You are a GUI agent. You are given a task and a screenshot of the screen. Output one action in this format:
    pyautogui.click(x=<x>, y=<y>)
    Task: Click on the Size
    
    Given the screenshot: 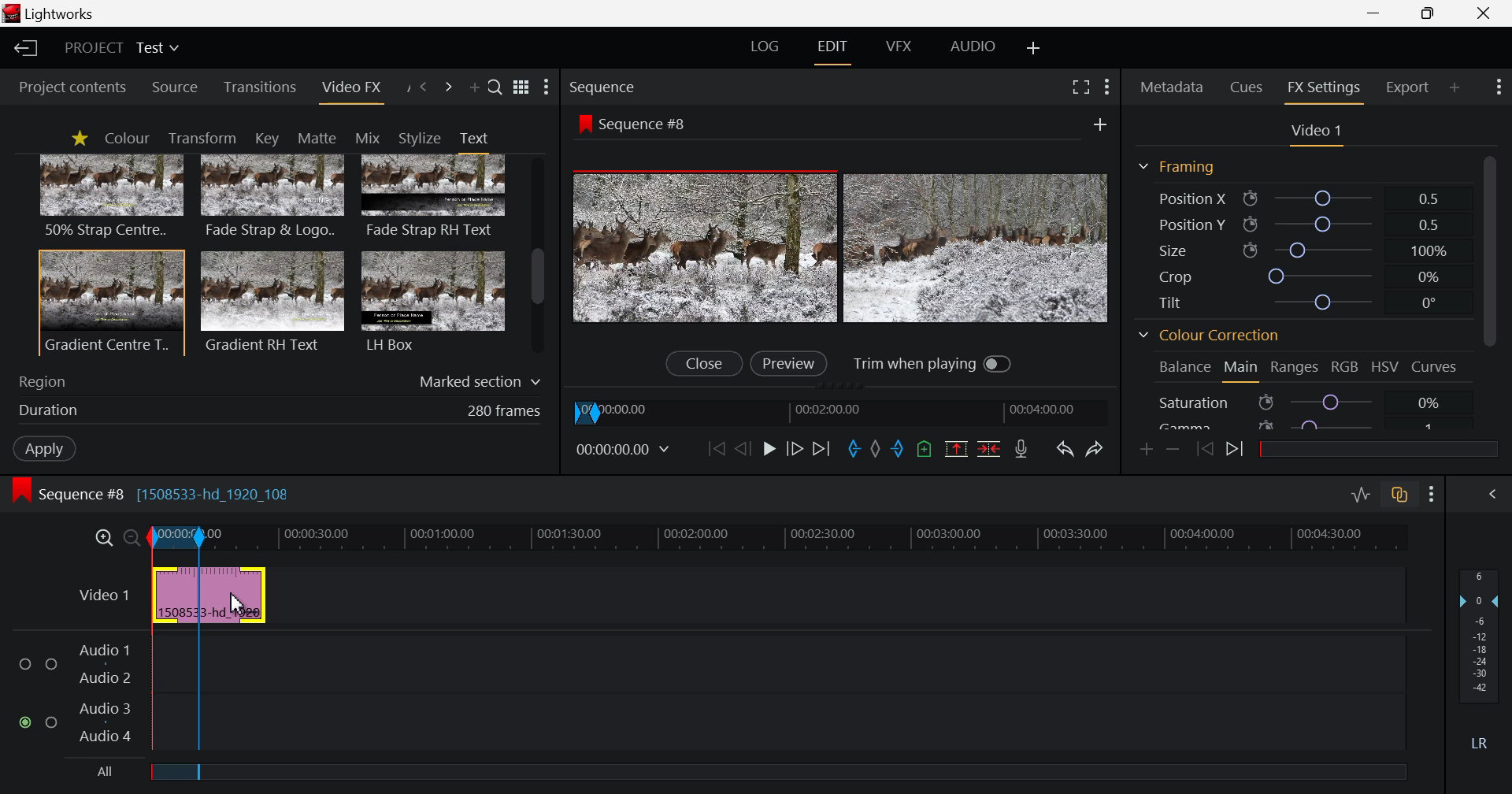 What is the action you would take?
    pyautogui.click(x=1300, y=248)
    